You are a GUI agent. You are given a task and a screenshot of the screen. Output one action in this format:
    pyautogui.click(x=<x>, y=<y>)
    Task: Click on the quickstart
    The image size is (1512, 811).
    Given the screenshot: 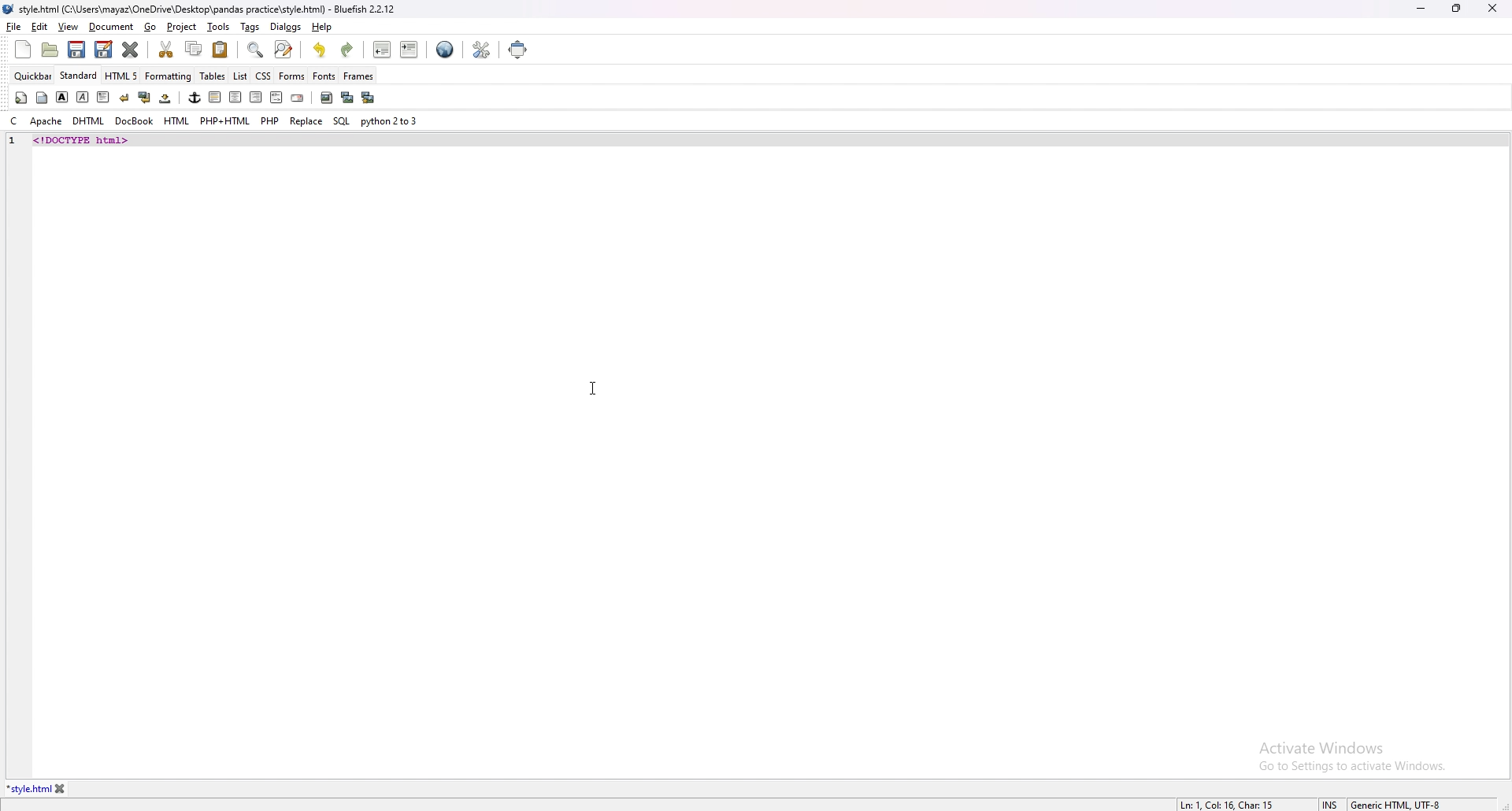 What is the action you would take?
    pyautogui.click(x=20, y=98)
    